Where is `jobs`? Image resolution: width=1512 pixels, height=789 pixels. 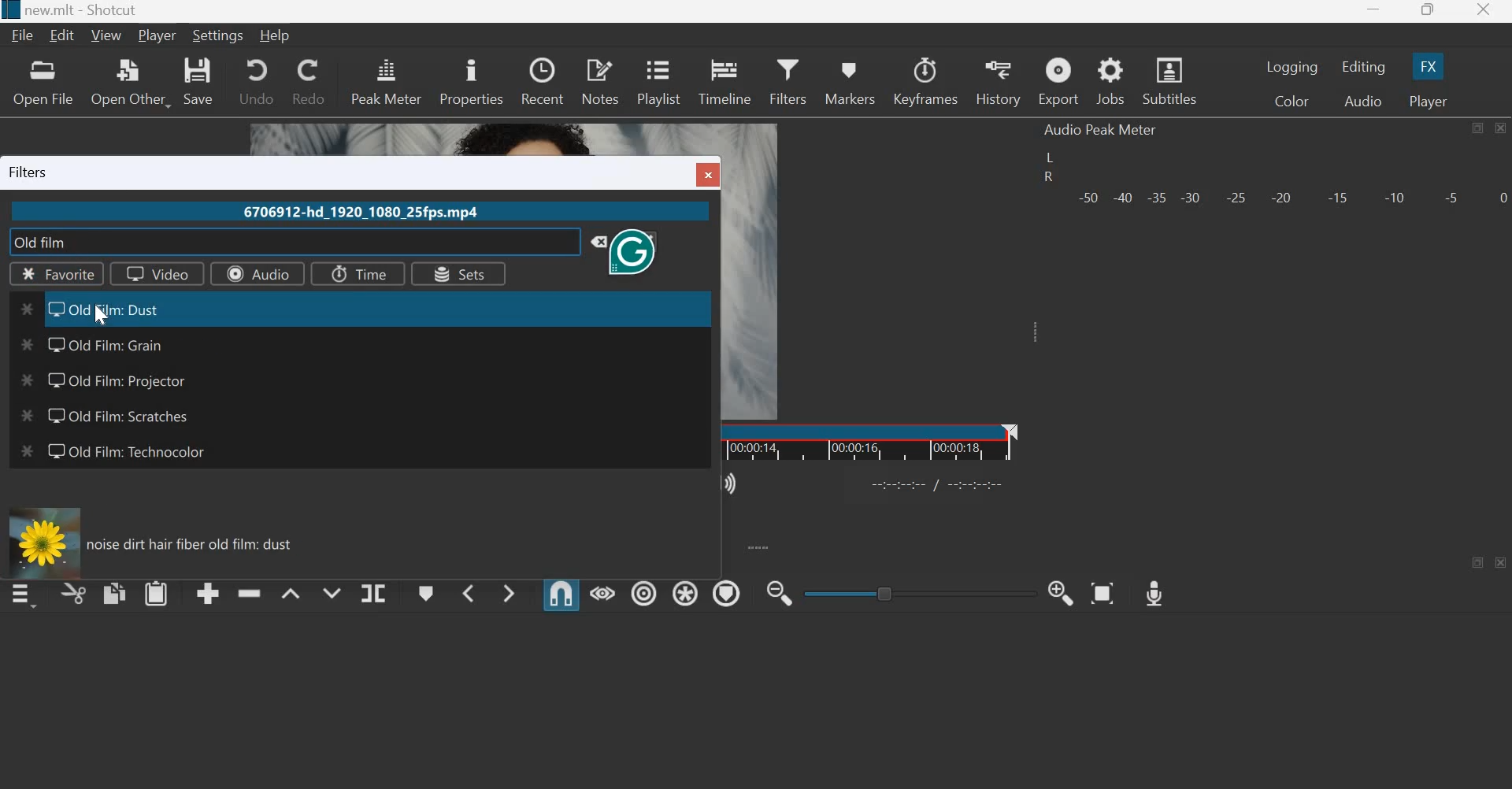 jobs is located at coordinates (1112, 82).